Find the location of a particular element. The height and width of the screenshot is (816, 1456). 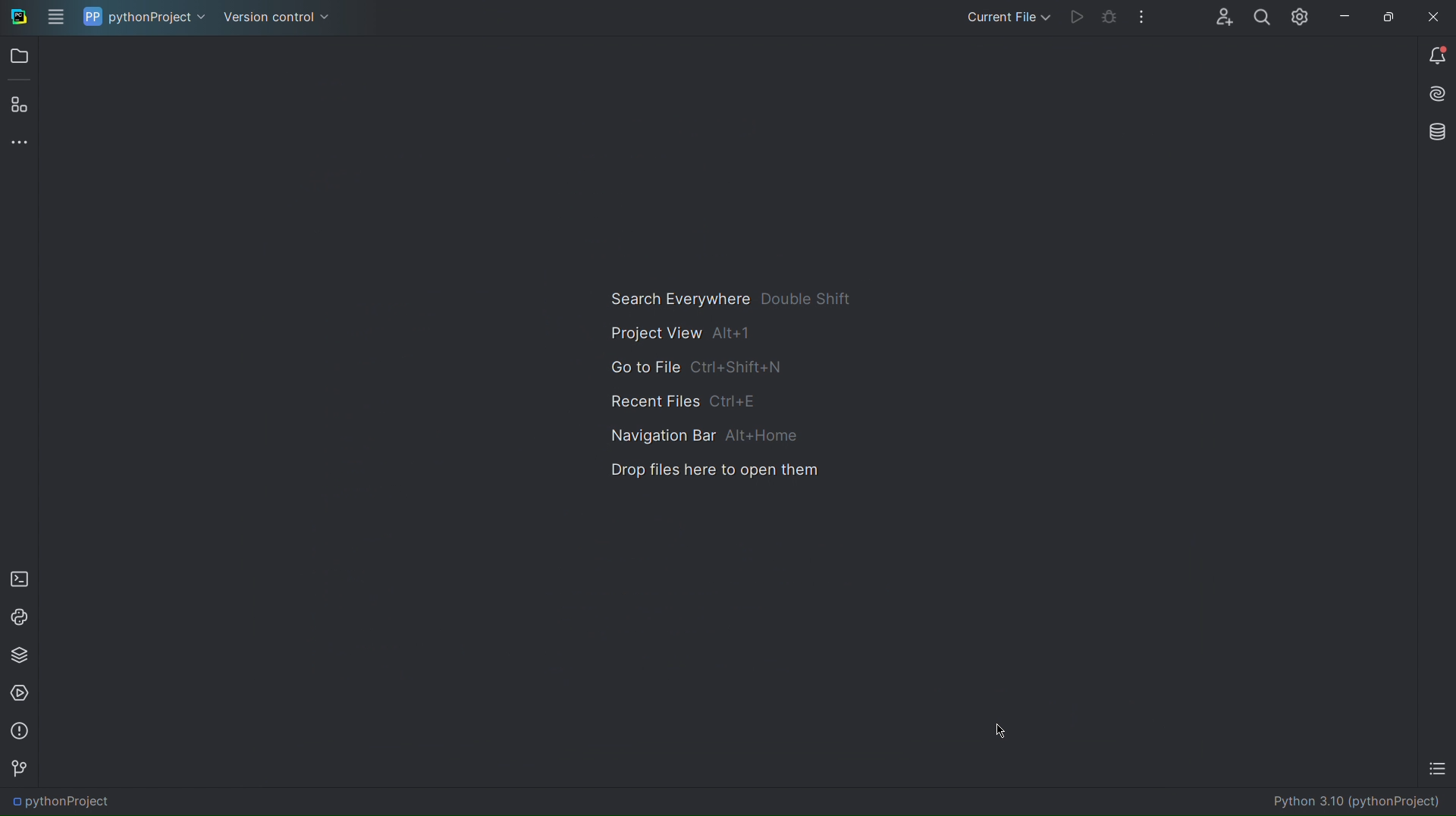

Minimize is located at coordinates (1343, 16).